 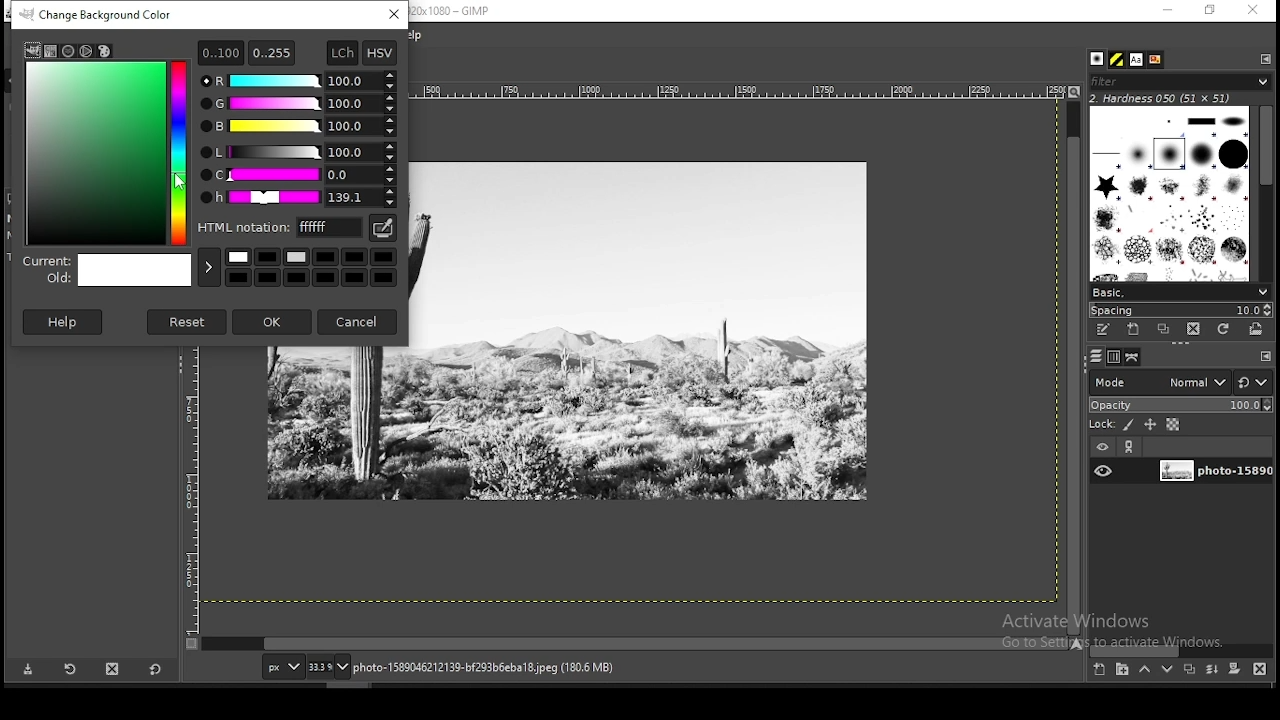 What do you see at coordinates (1167, 669) in the screenshot?
I see `move layer one step down` at bounding box center [1167, 669].